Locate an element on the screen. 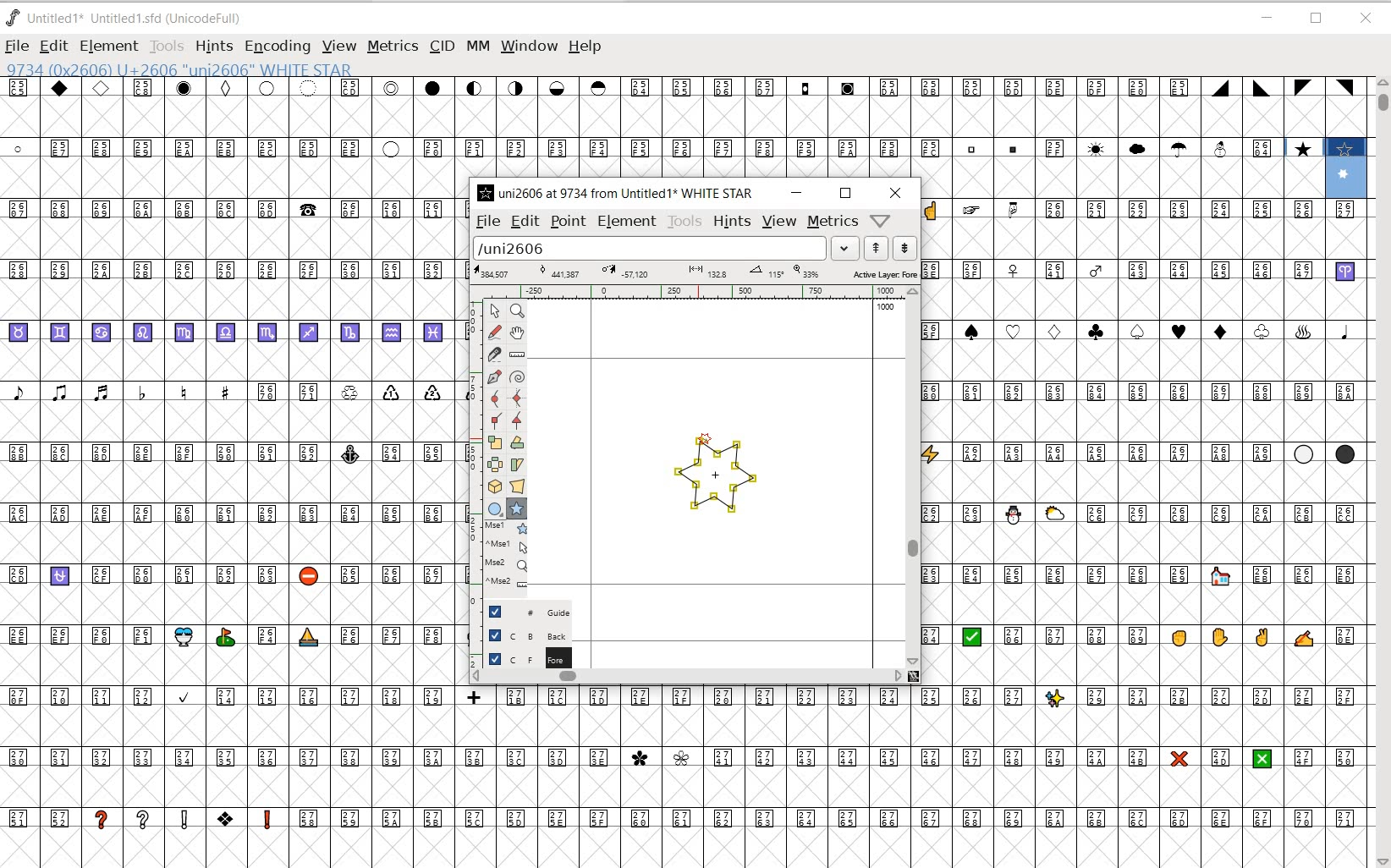 The width and height of the screenshot is (1391, 868). SCALE is located at coordinates (473, 447).